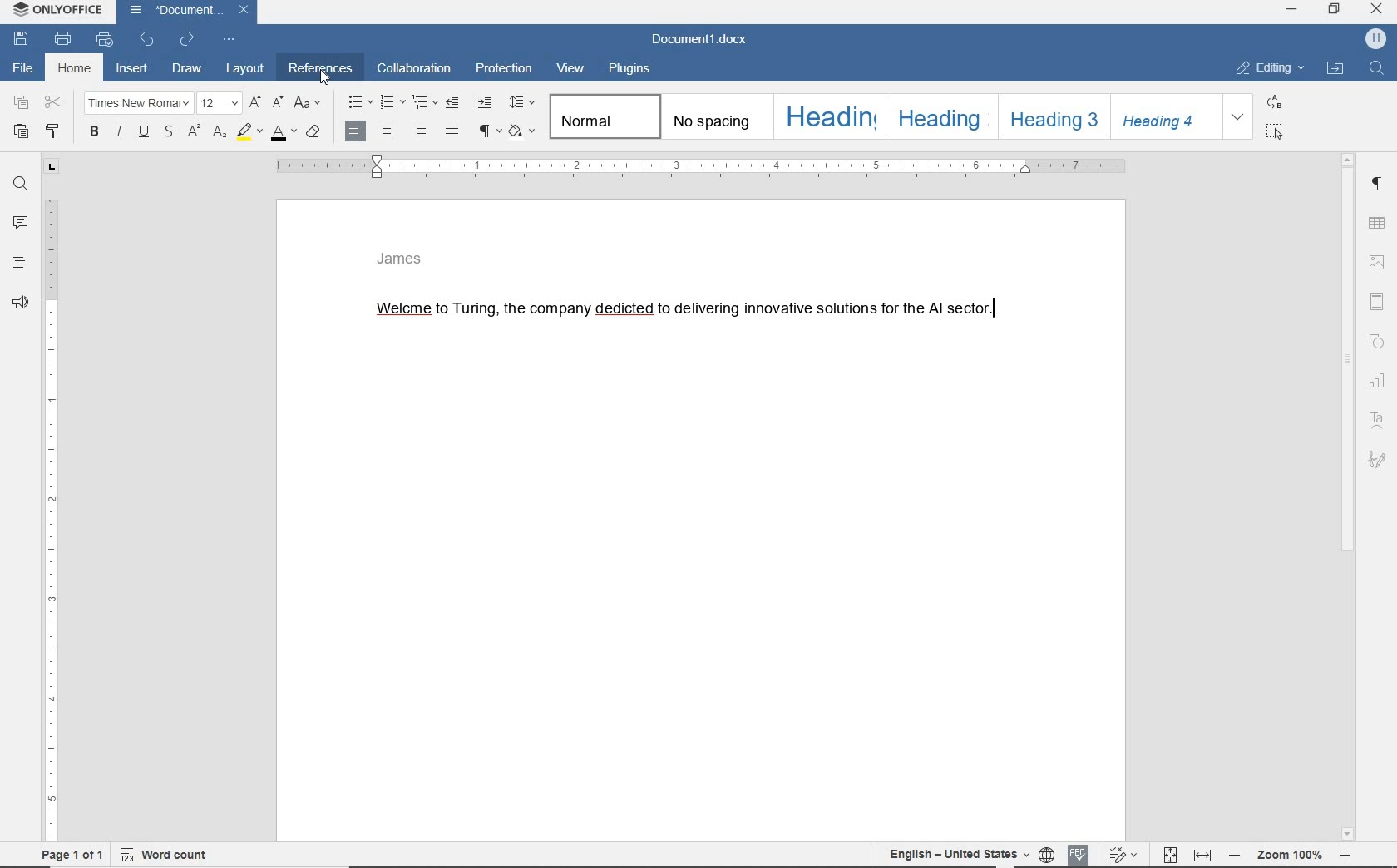  What do you see at coordinates (20, 186) in the screenshot?
I see `find and replace` at bounding box center [20, 186].